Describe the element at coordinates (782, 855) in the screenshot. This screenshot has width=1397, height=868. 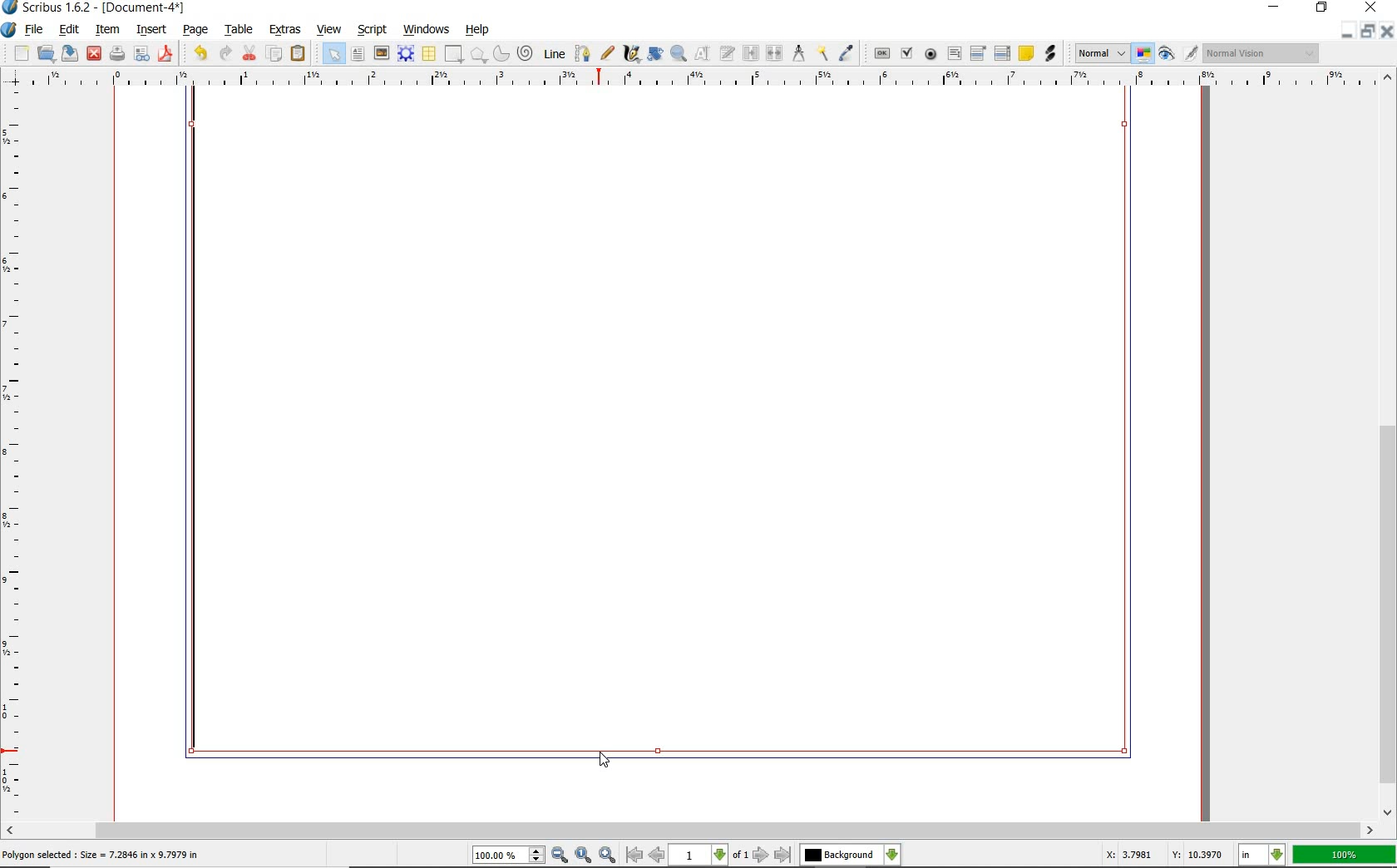
I see `go to last page` at that location.